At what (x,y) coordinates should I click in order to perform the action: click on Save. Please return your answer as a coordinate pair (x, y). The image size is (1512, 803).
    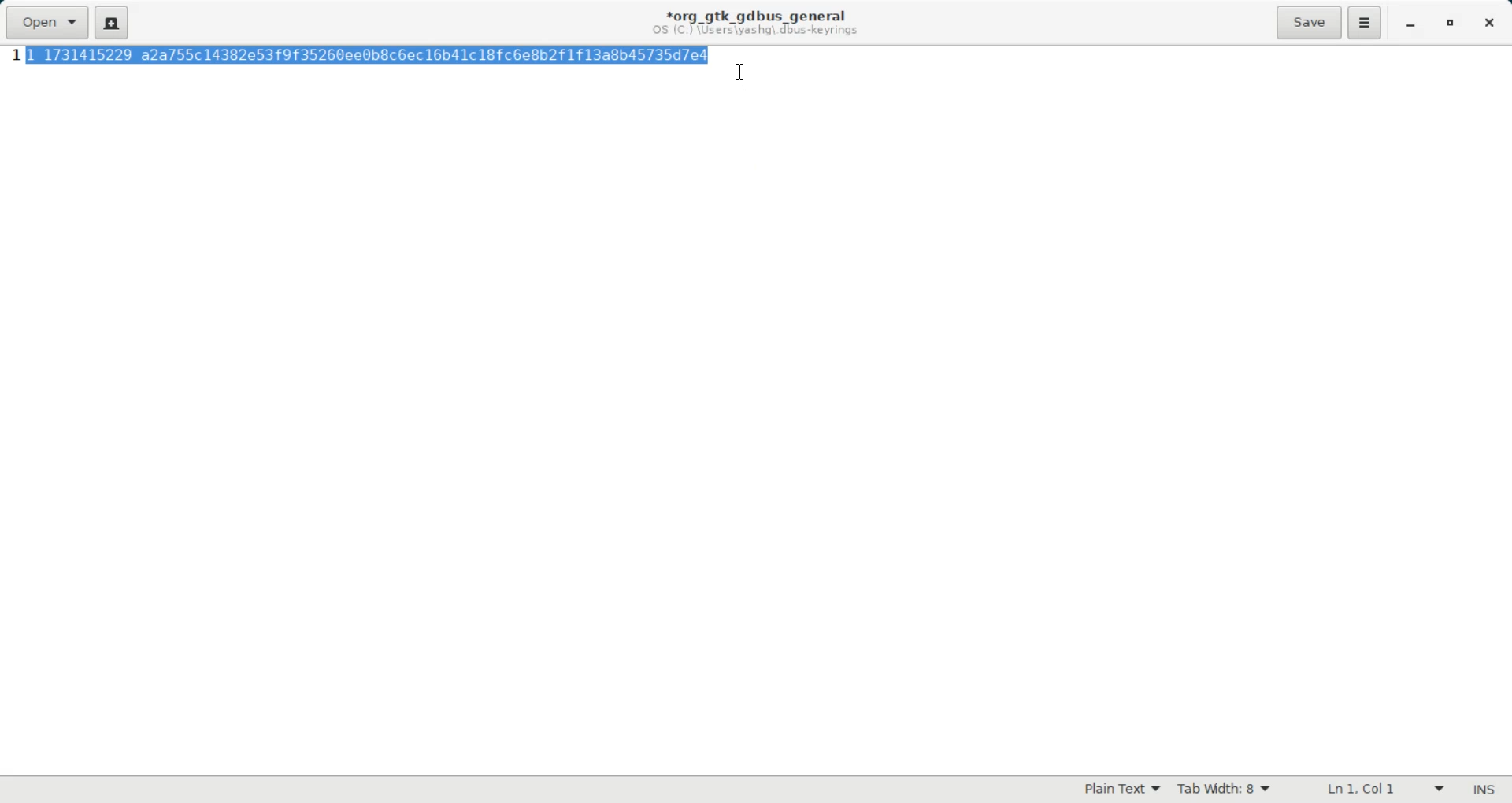
    Looking at the image, I should click on (1308, 22).